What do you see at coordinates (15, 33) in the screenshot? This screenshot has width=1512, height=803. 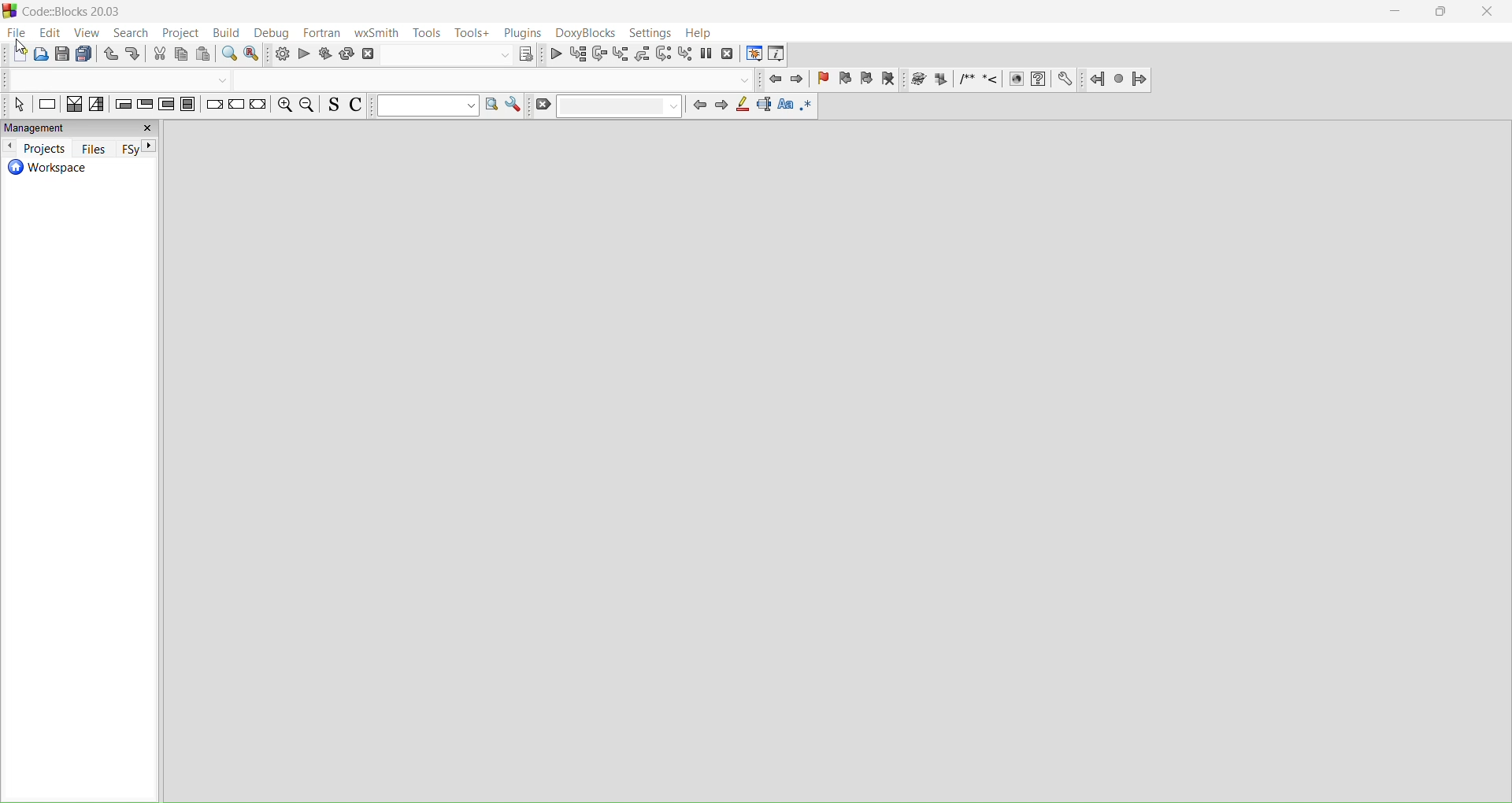 I see `file` at bounding box center [15, 33].